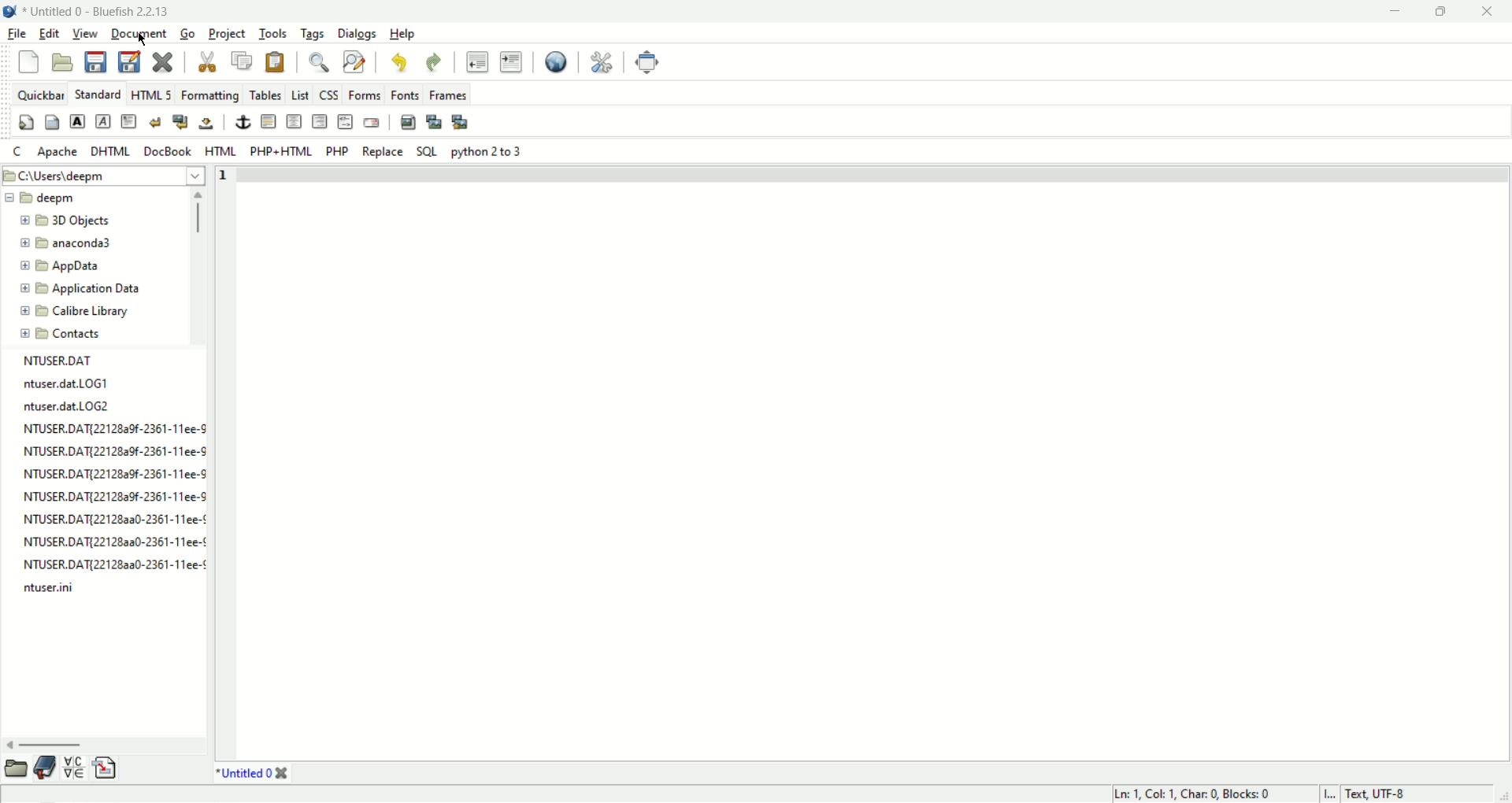 The height and width of the screenshot is (803, 1512). What do you see at coordinates (1206, 794) in the screenshot?
I see `Ln 1, Col 1, Char 0, Blocks:0` at bounding box center [1206, 794].